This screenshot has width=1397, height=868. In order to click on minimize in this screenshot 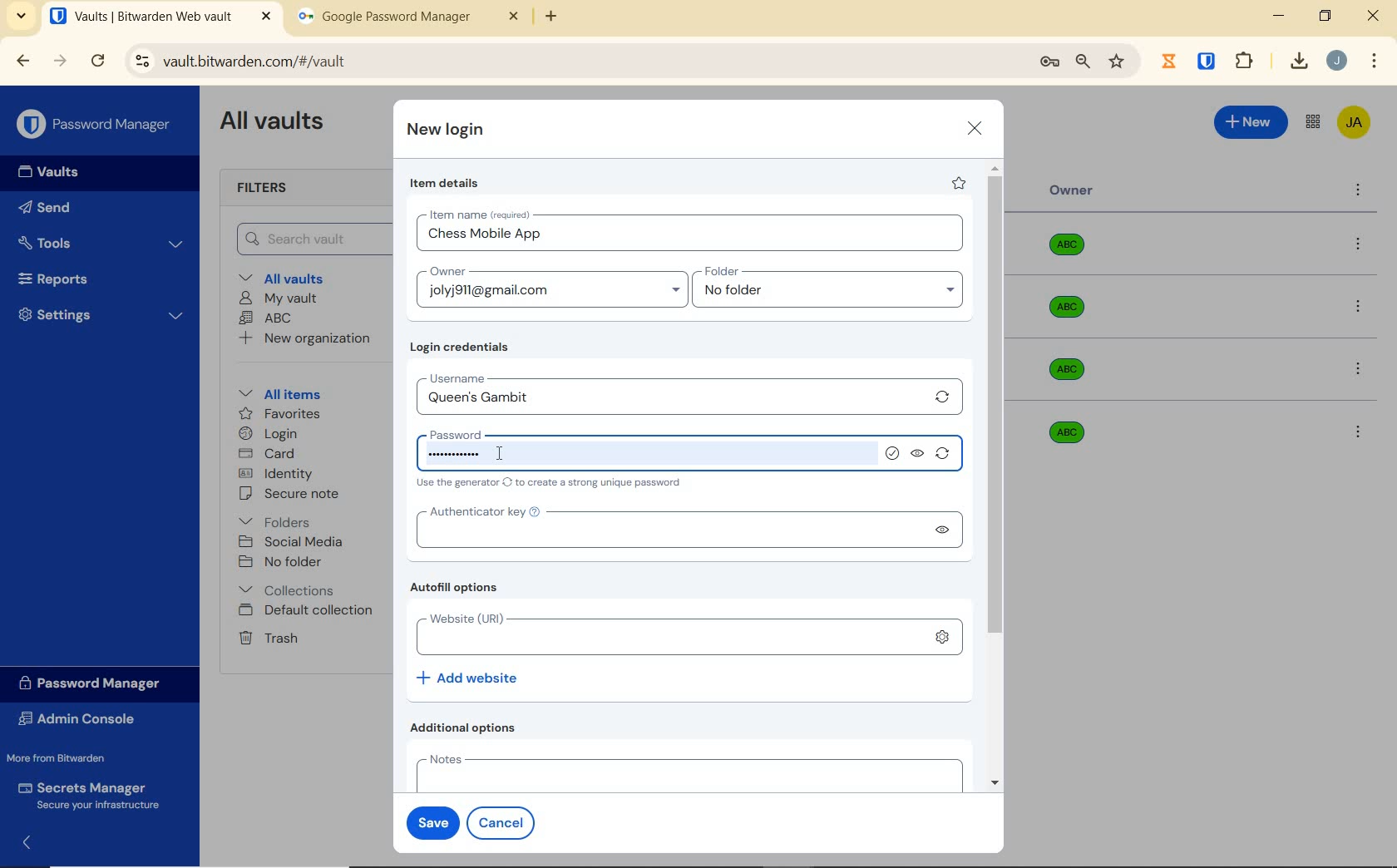, I will do `click(1278, 16)`.